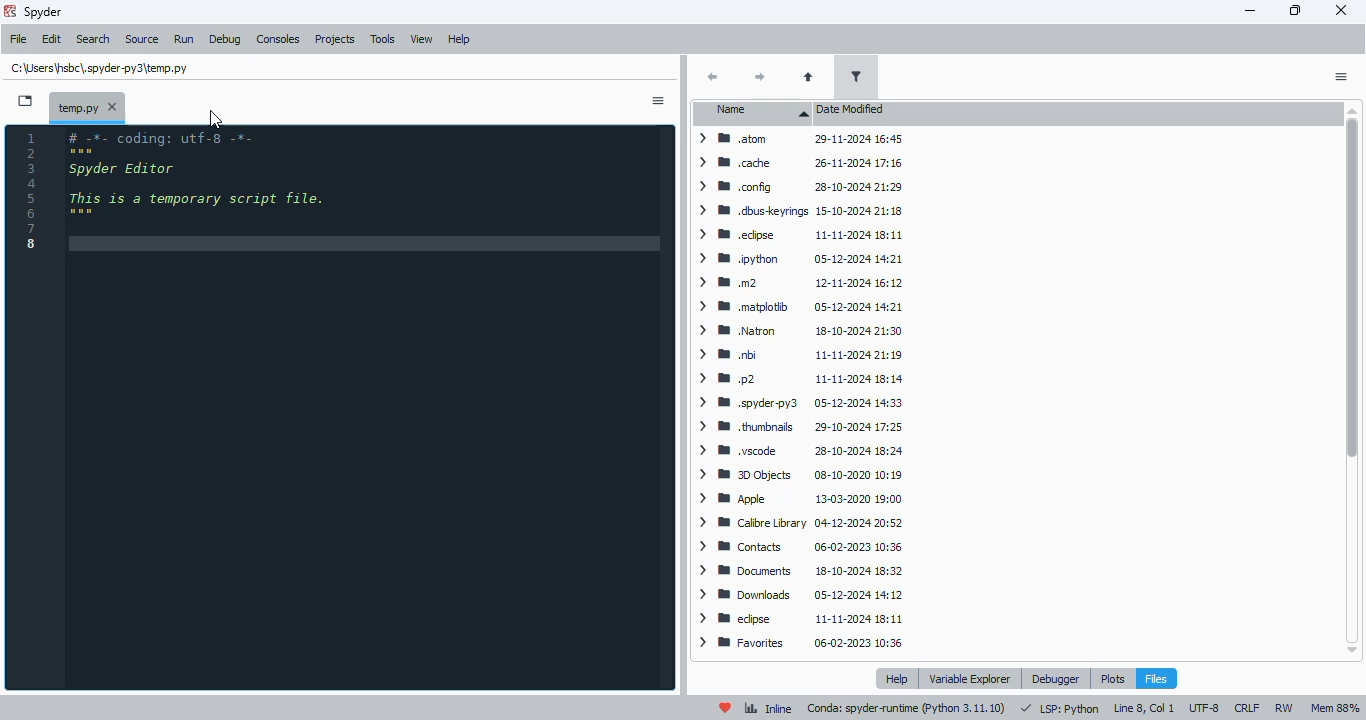  What do you see at coordinates (796, 475) in the screenshot?
I see `> WB 3DObjects 08-10-2020 10:19` at bounding box center [796, 475].